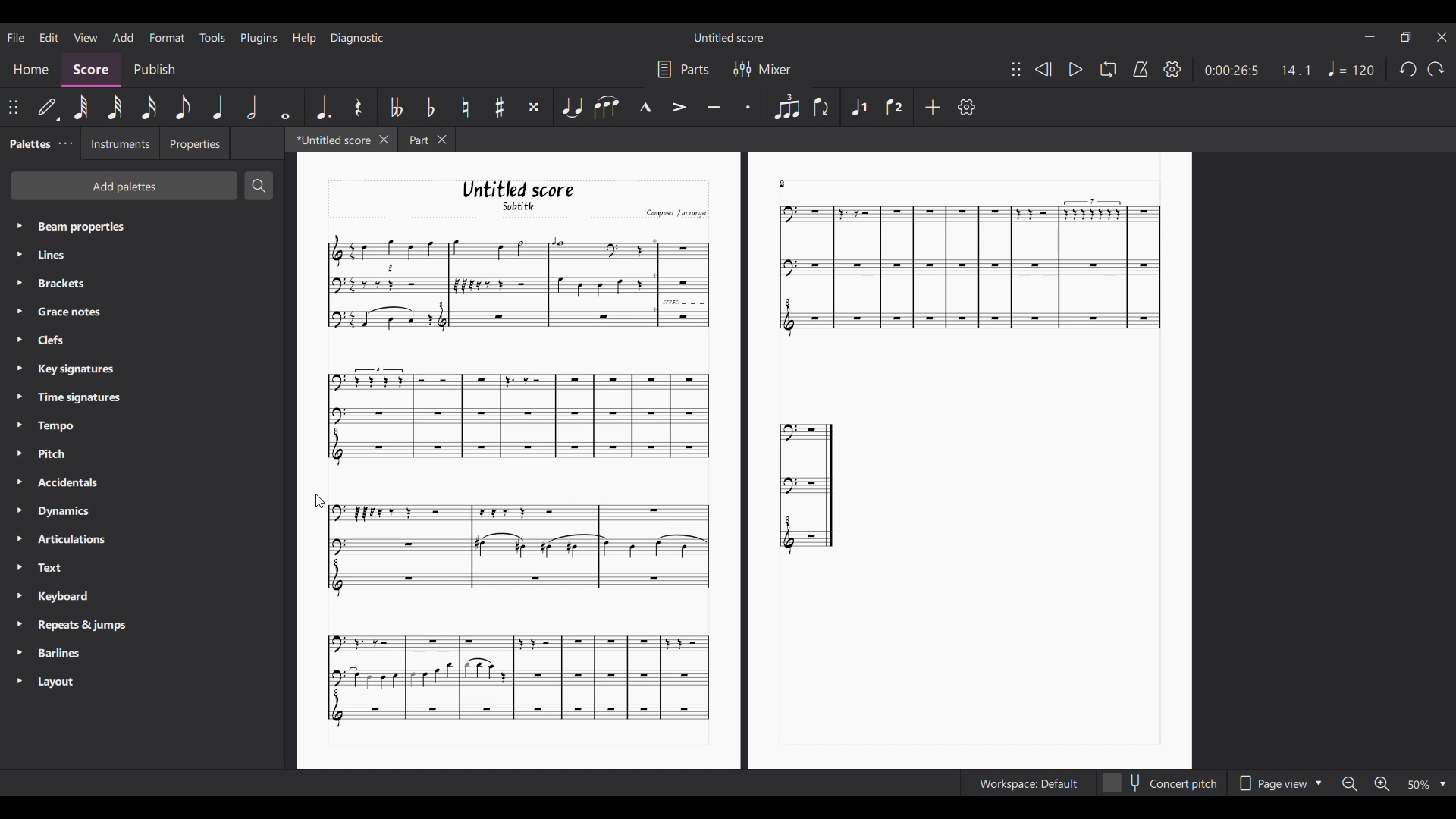 The height and width of the screenshot is (819, 1456). Describe the element at coordinates (65, 543) in the screenshot. I see `> Articulations` at that location.